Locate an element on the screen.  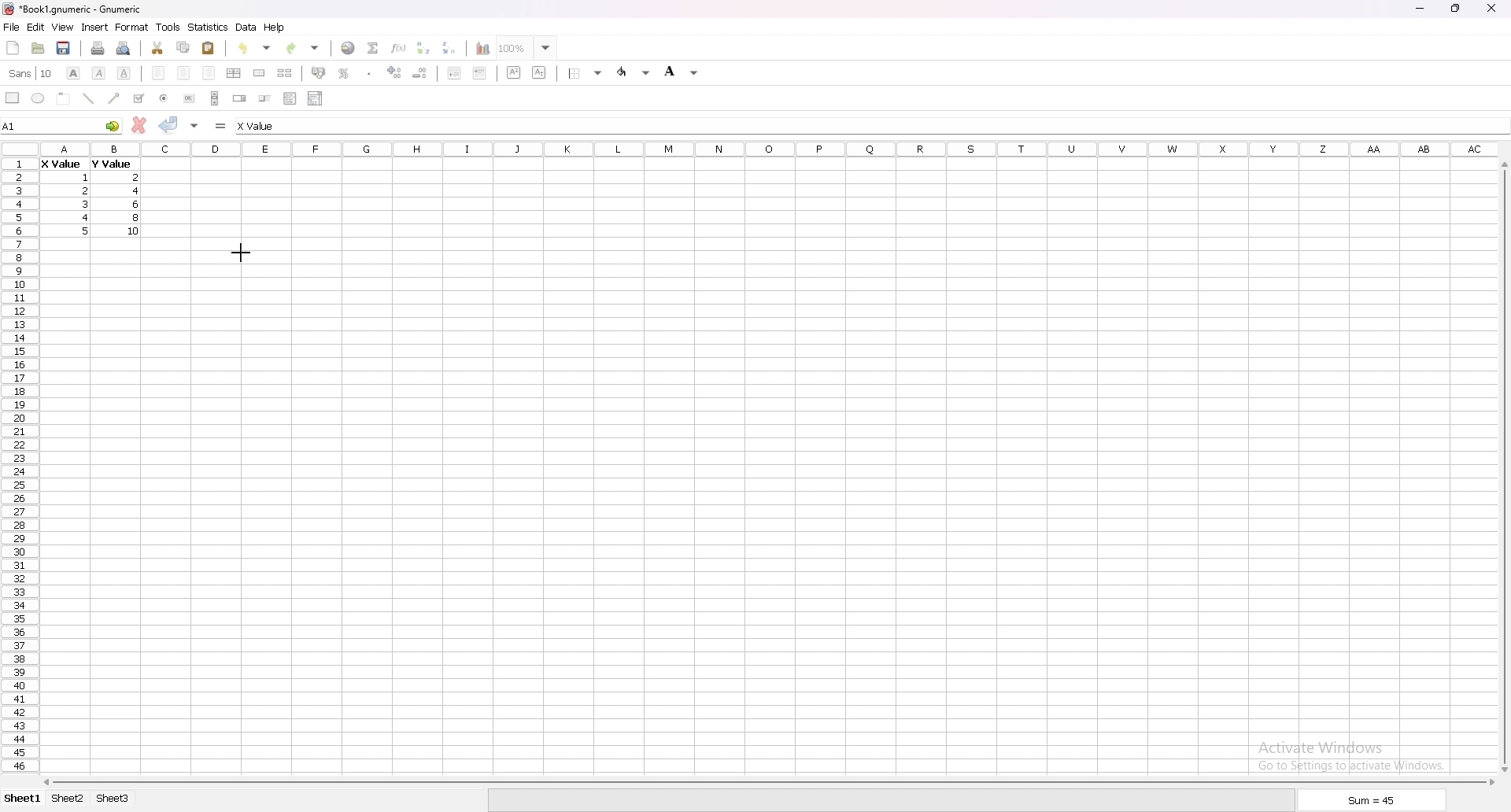
decrease indent is located at coordinates (455, 72).